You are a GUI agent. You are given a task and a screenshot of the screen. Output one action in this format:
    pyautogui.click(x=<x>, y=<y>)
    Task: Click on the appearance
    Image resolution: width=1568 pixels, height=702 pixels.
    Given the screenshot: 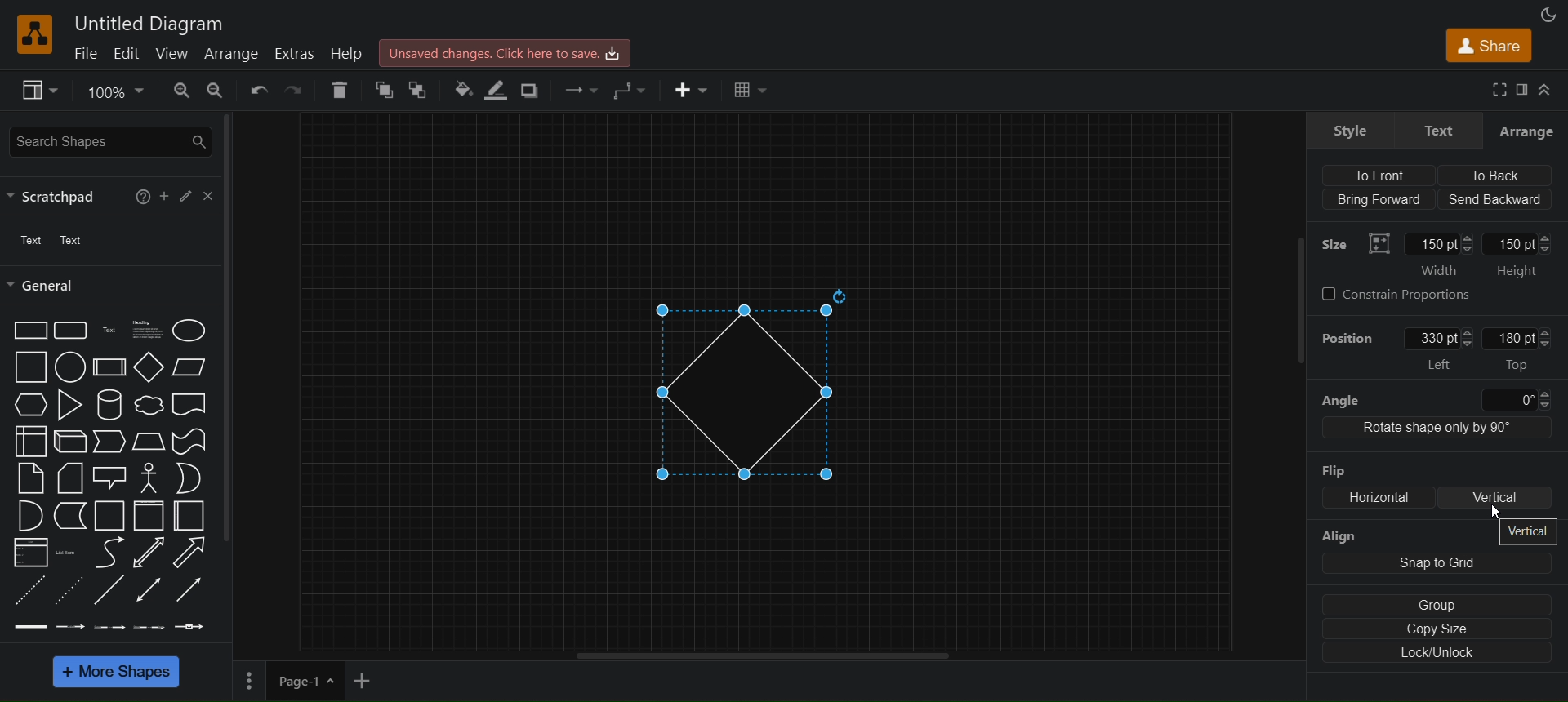 What is the action you would take?
    pyautogui.click(x=1550, y=14)
    